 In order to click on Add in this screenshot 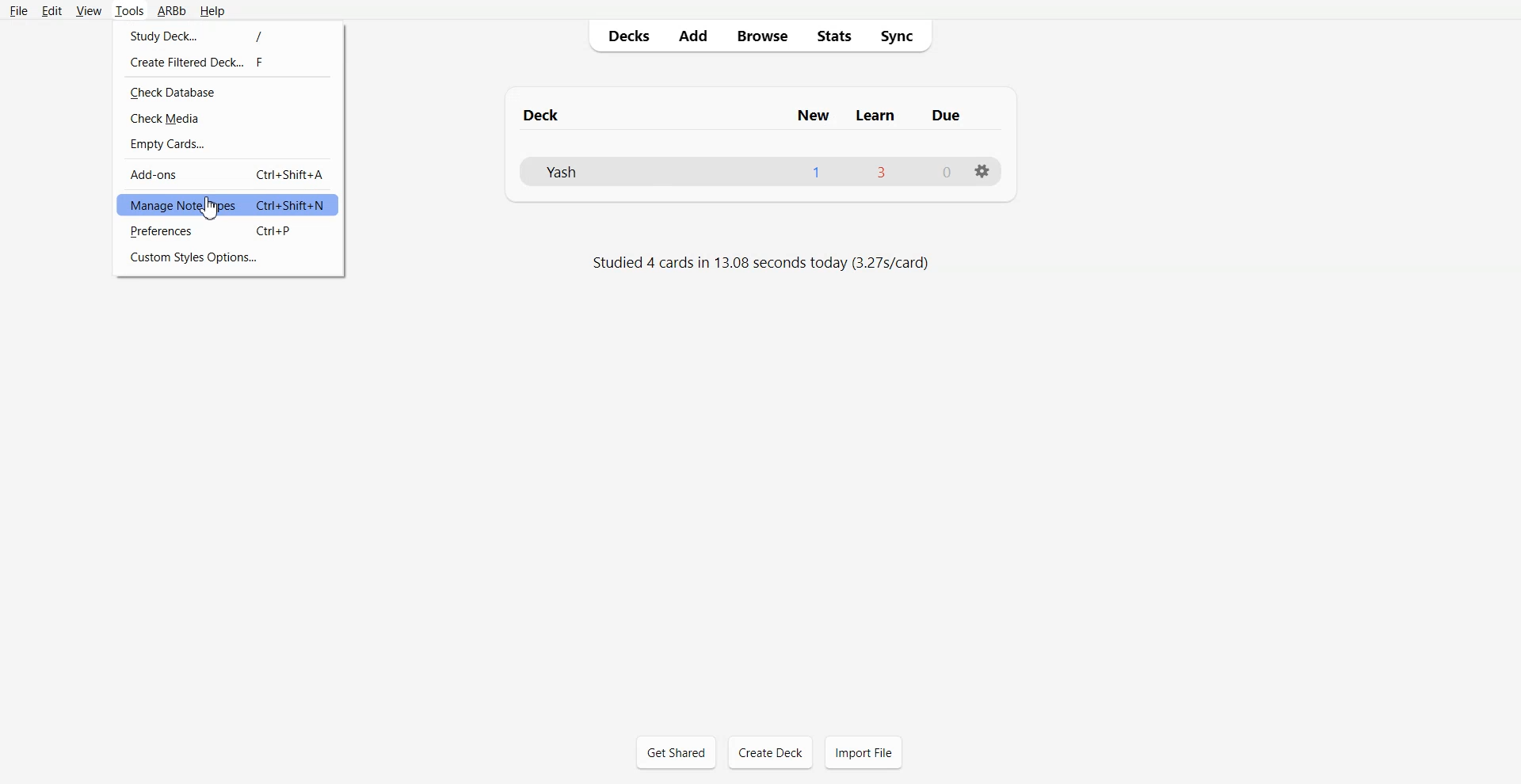, I will do `click(692, 35)`.